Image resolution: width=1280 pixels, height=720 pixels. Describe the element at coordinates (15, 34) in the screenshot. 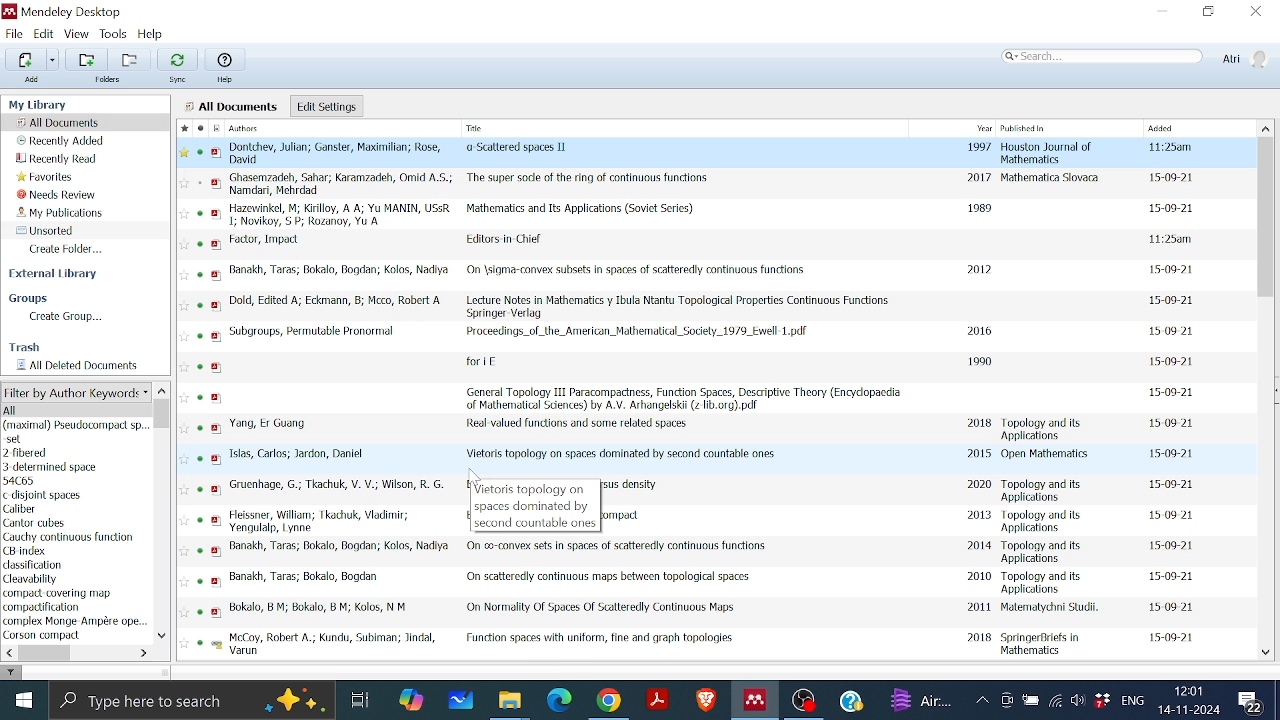

I see `File` at that location.